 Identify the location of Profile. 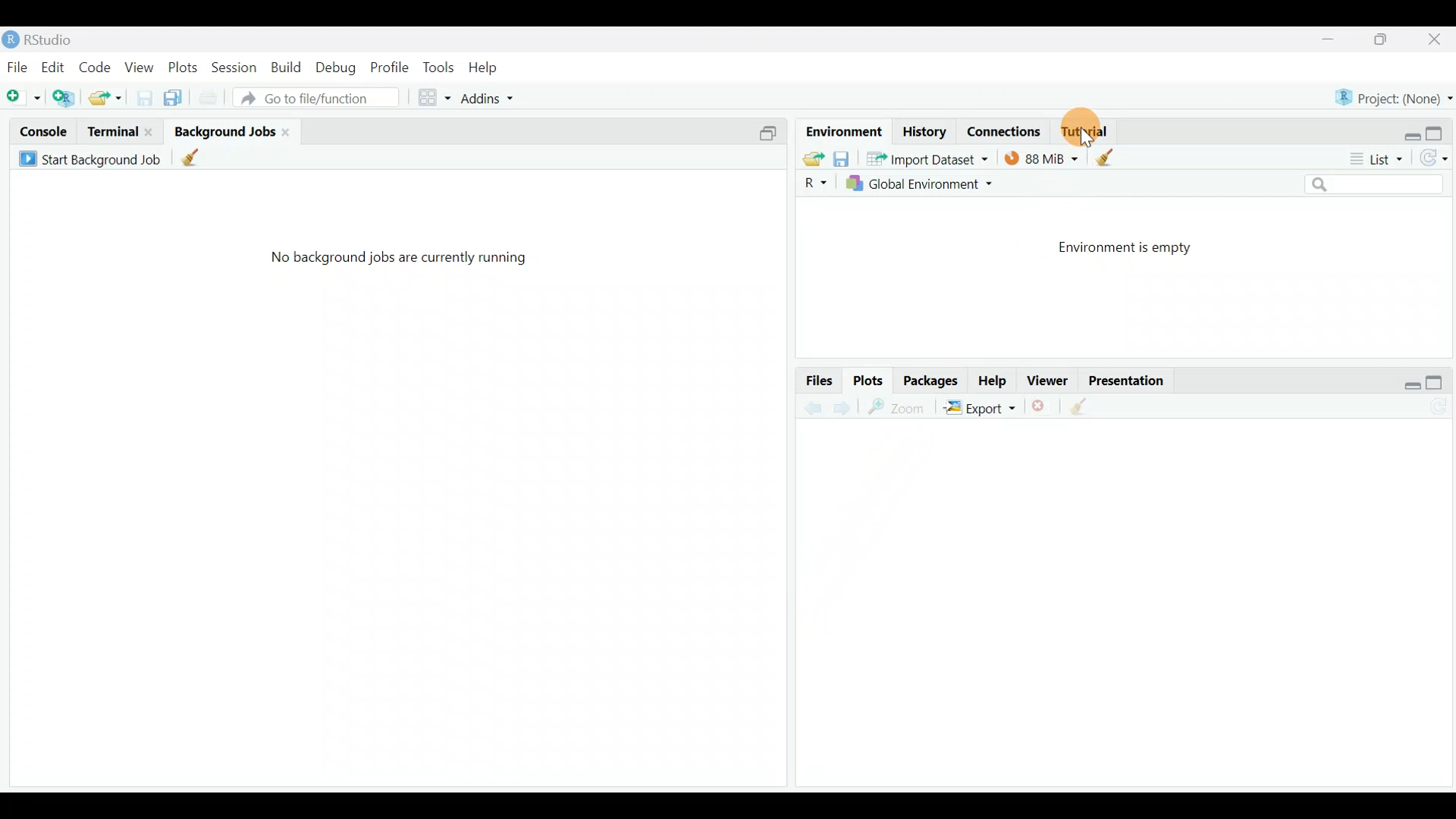
(390, 69).